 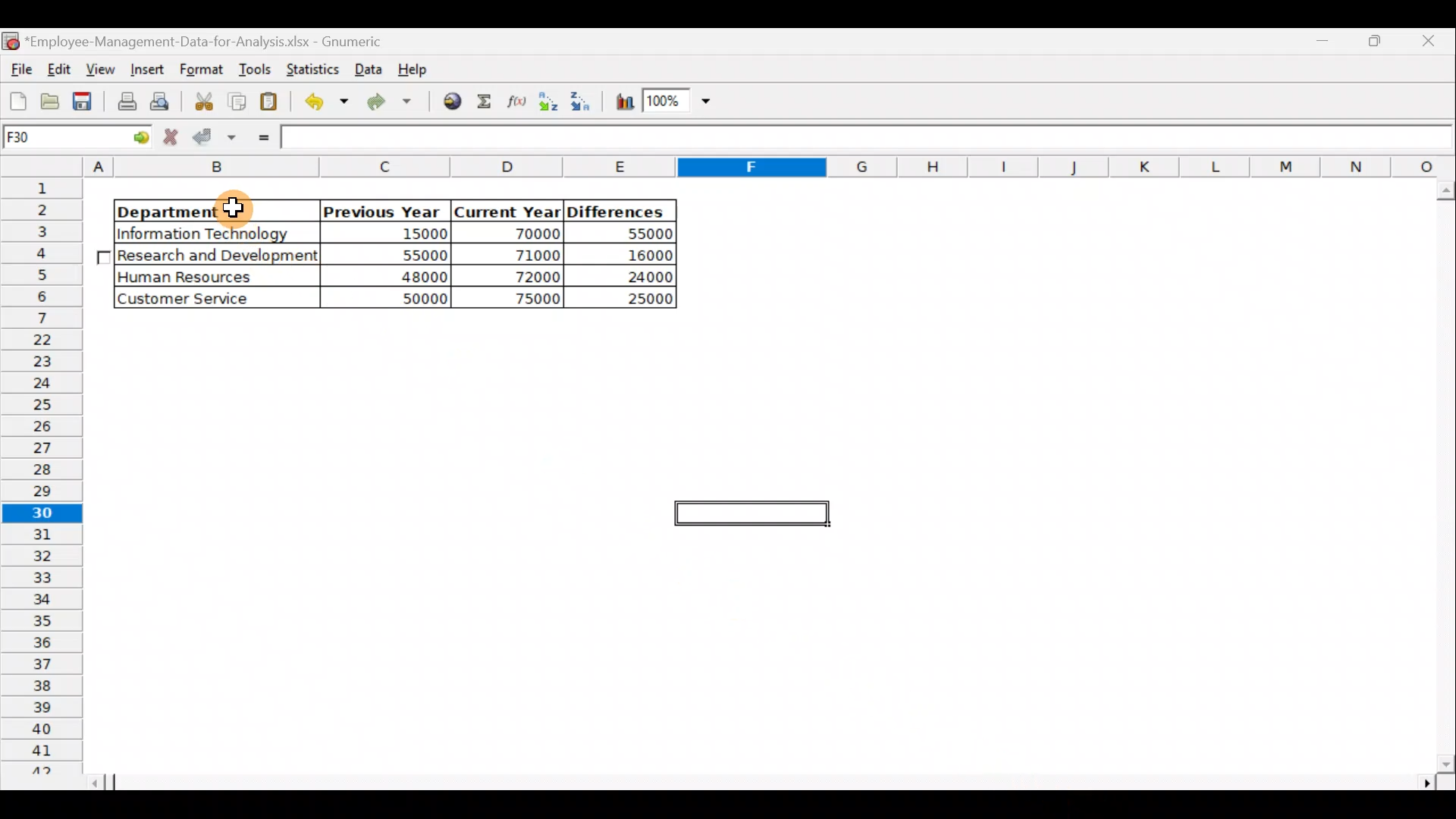 What do you see at coordinates (1442, 477) in the screenshot?
I see `Scroll bar` at bounding box center [1442, 477].